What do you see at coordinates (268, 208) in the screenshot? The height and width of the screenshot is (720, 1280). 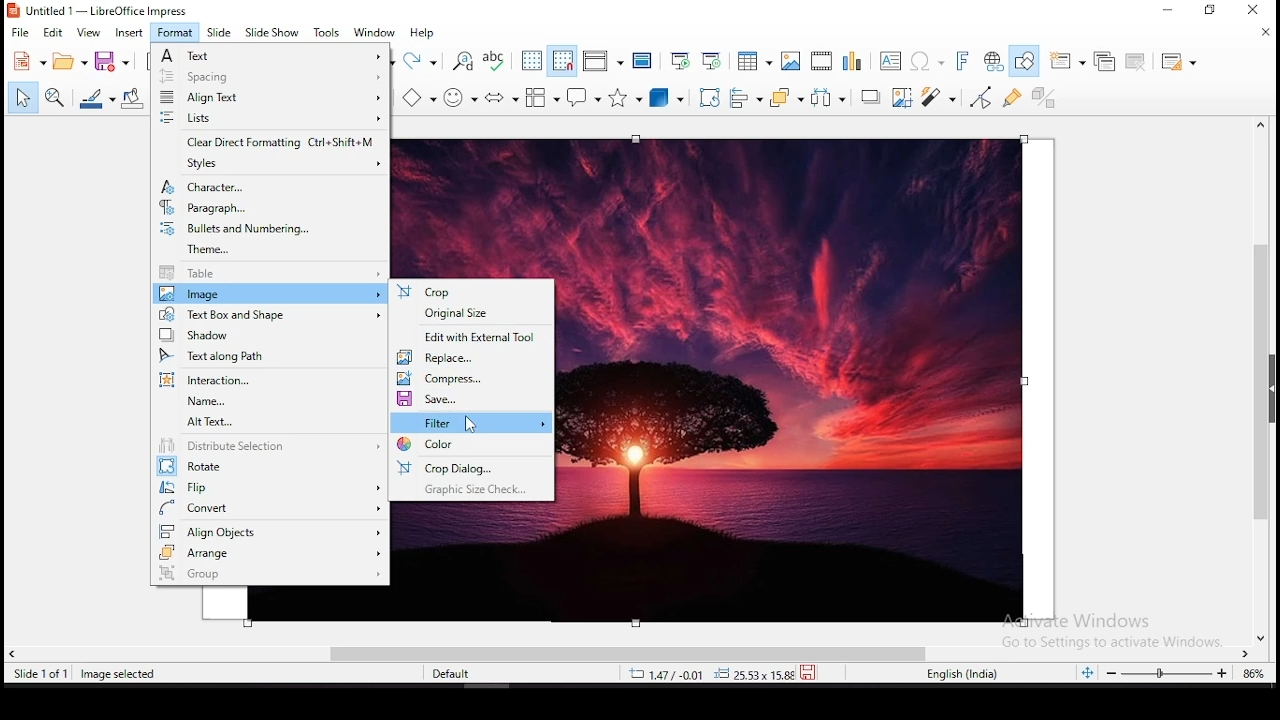 I see `paragraph` at bounding box center [268, 208].